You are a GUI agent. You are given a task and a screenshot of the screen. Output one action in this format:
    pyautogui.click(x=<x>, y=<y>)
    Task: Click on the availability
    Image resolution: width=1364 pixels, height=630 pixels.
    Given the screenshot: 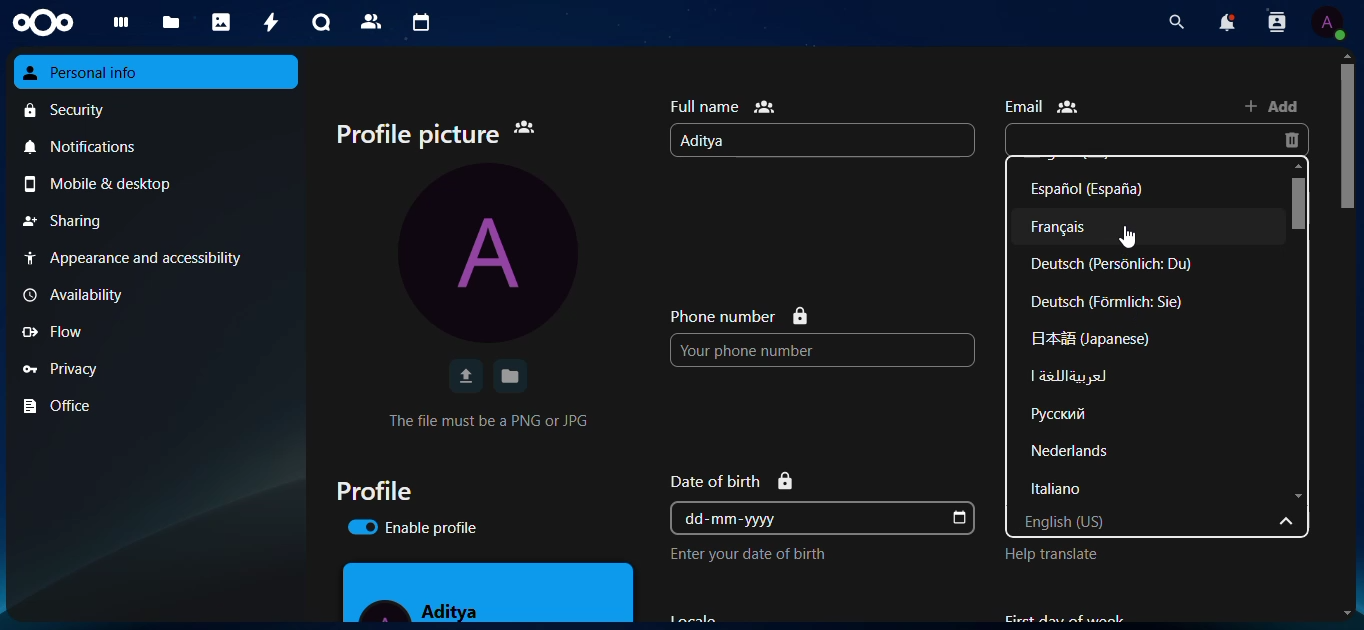 What is the action you would take?
    pyautogui.click(x=83, y=295)
    